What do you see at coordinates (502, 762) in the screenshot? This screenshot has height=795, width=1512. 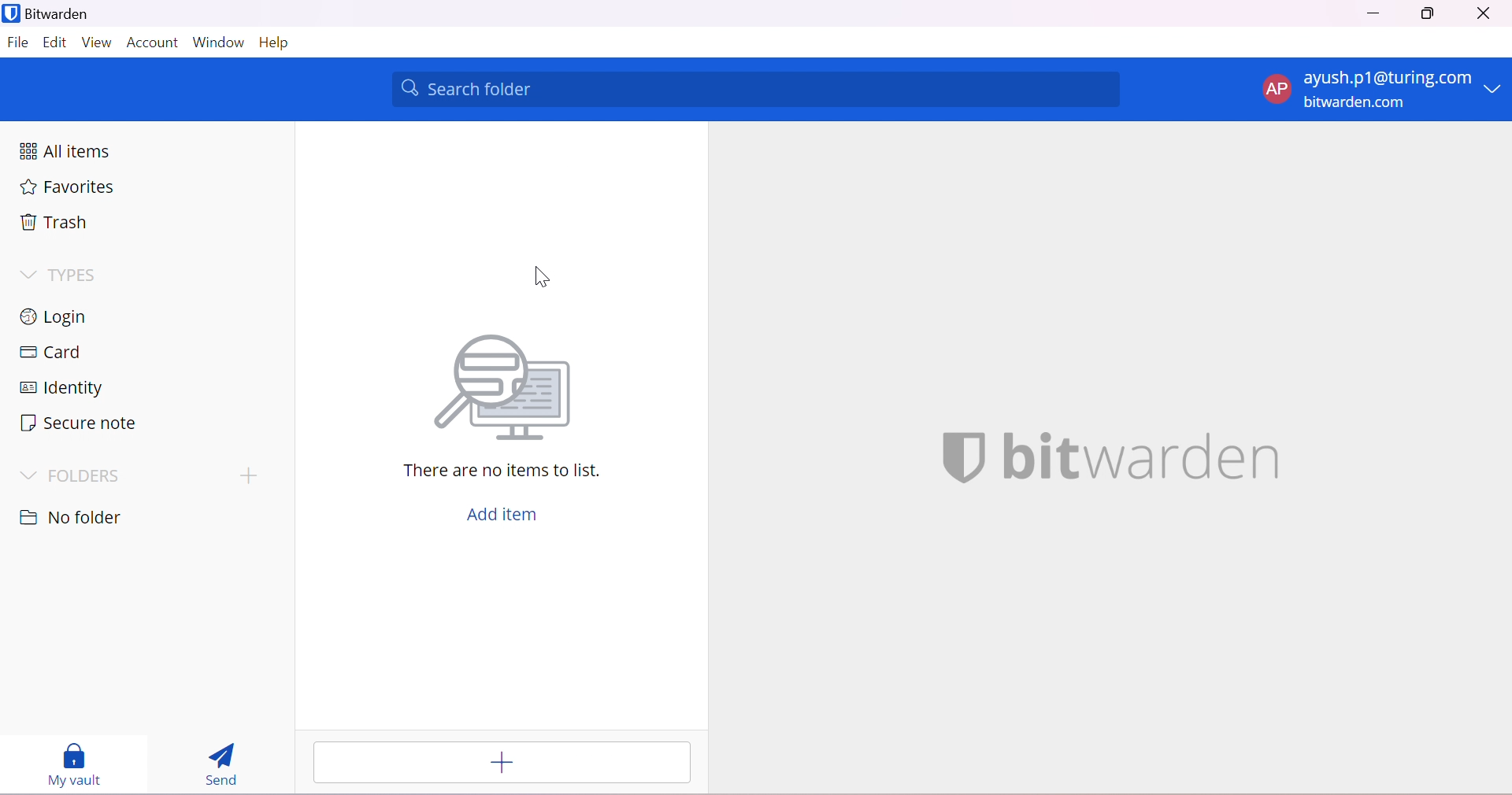 I see `add entry` at bounding box center [502, 762].